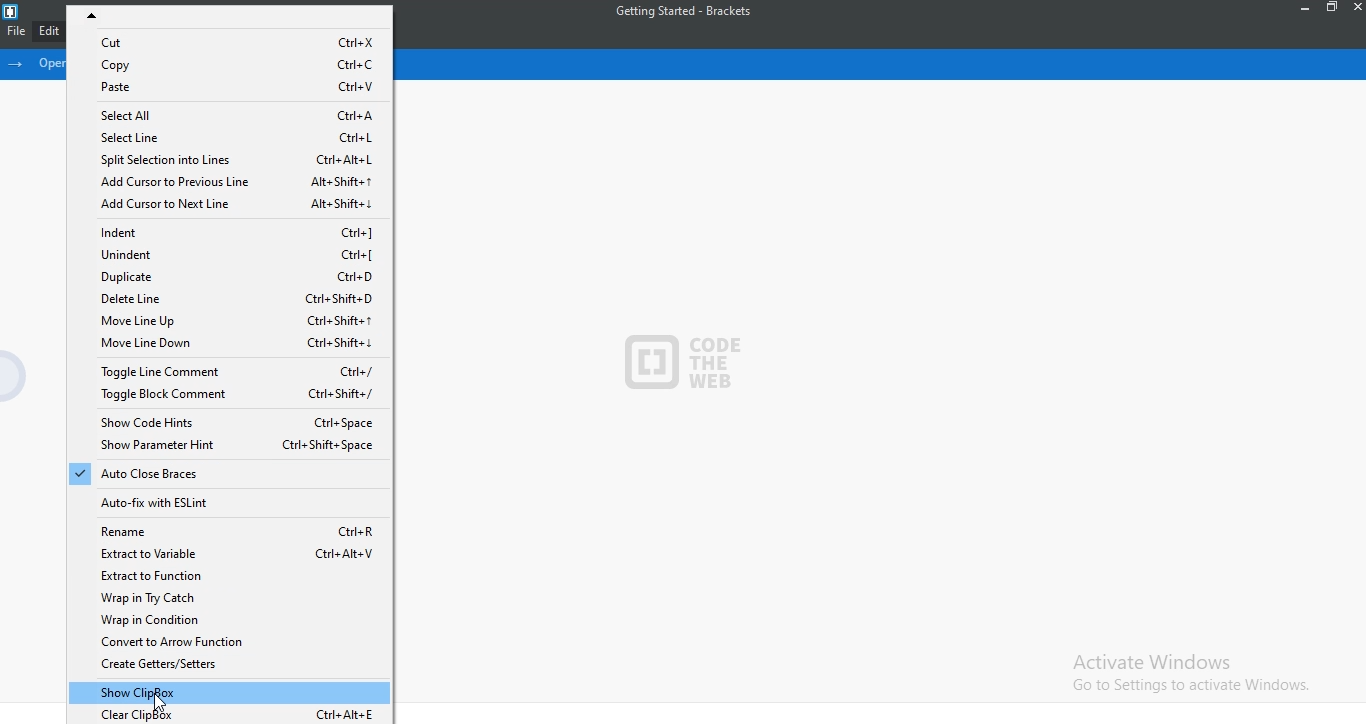 The height and width of the screenshot is (724, 1366). I want to click on Convert to Arrow Function, so click(232, 643).